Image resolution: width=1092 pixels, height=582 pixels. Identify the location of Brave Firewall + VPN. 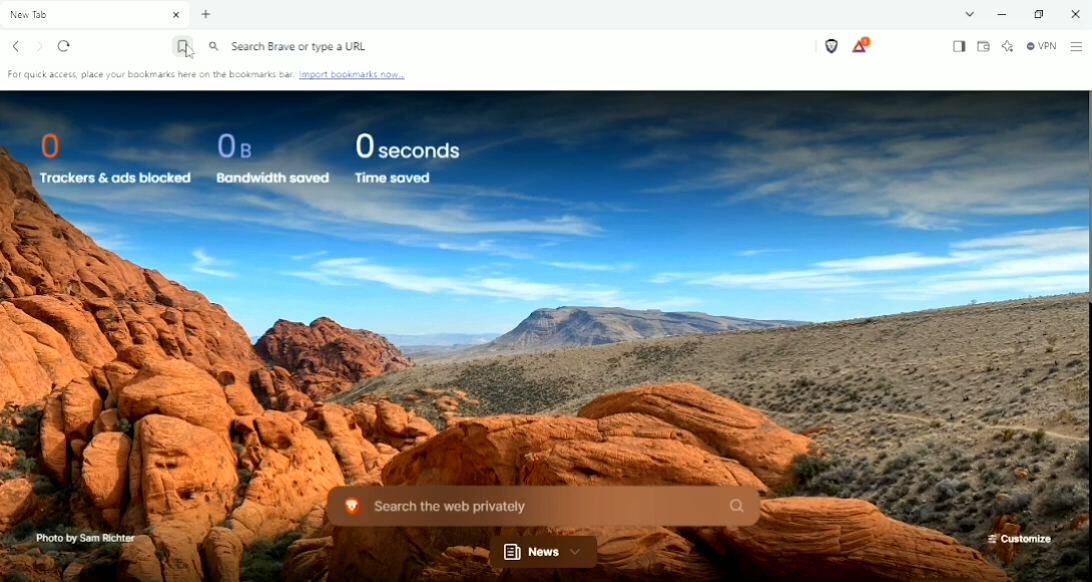
(1042, 46).